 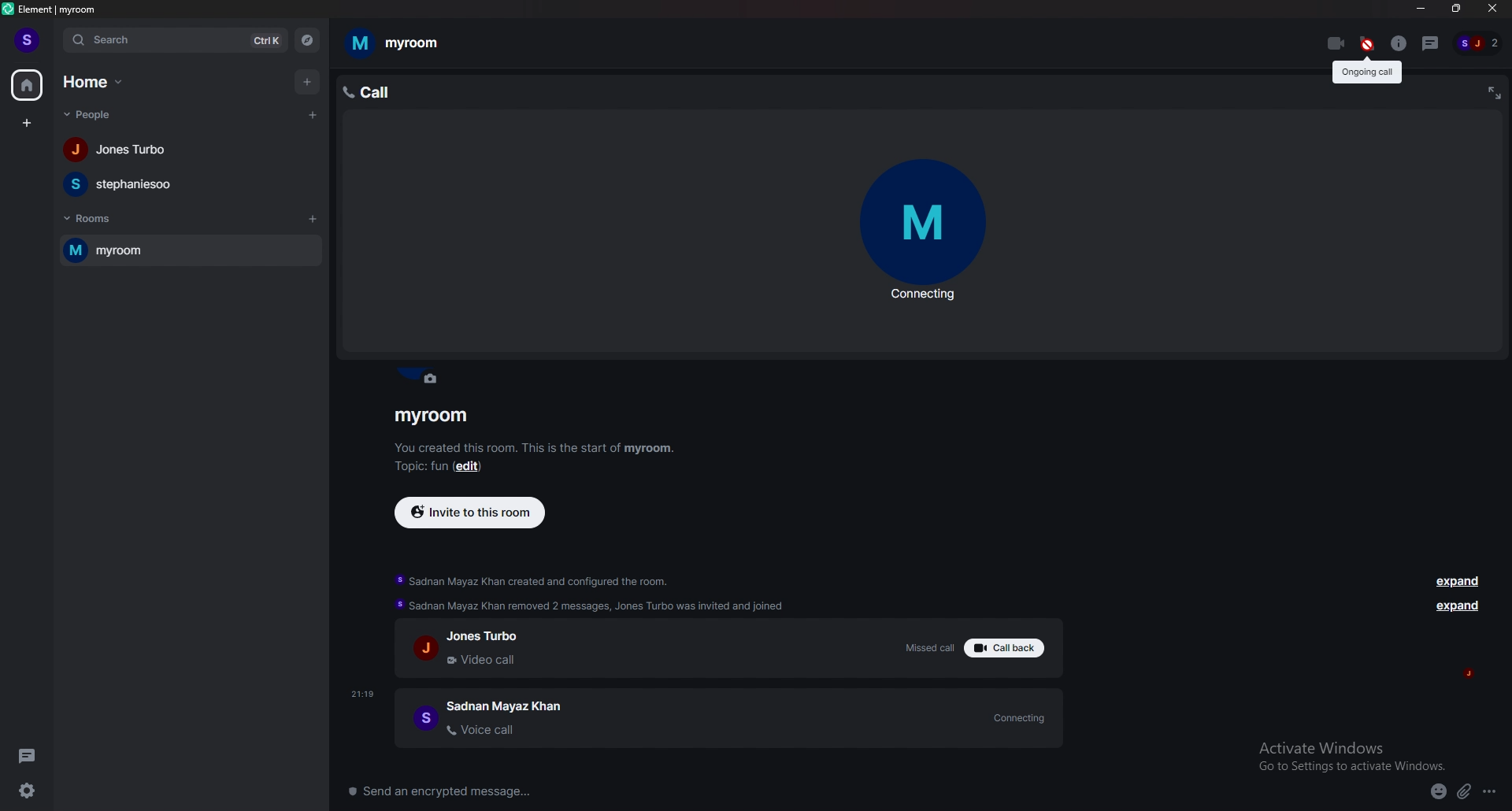 What do you see at coordinates (1421, 9) in the screenshot?
I see `minimize` at bounding box center [1421, 9].